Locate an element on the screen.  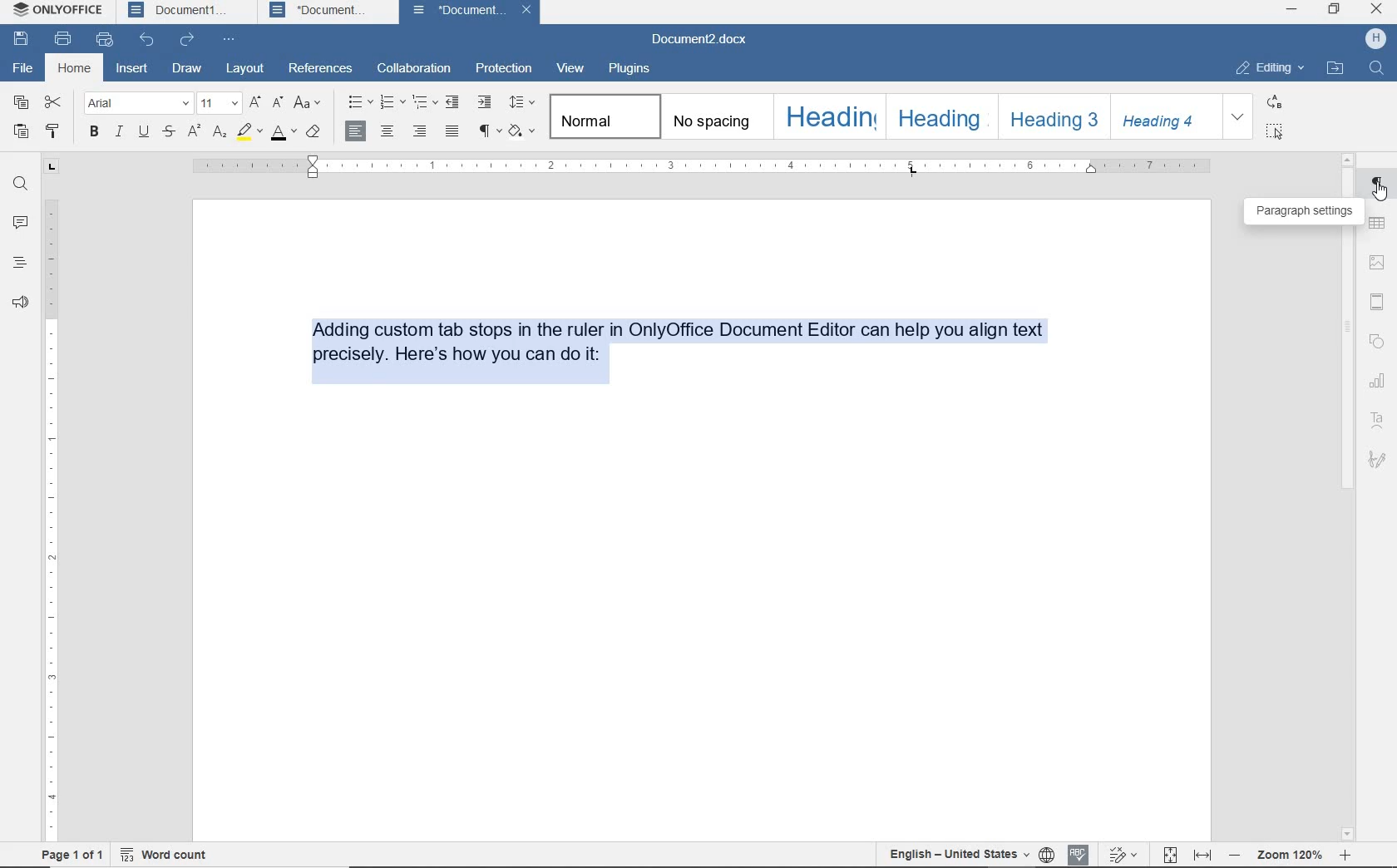
normal is located at coordinates (602, 116).